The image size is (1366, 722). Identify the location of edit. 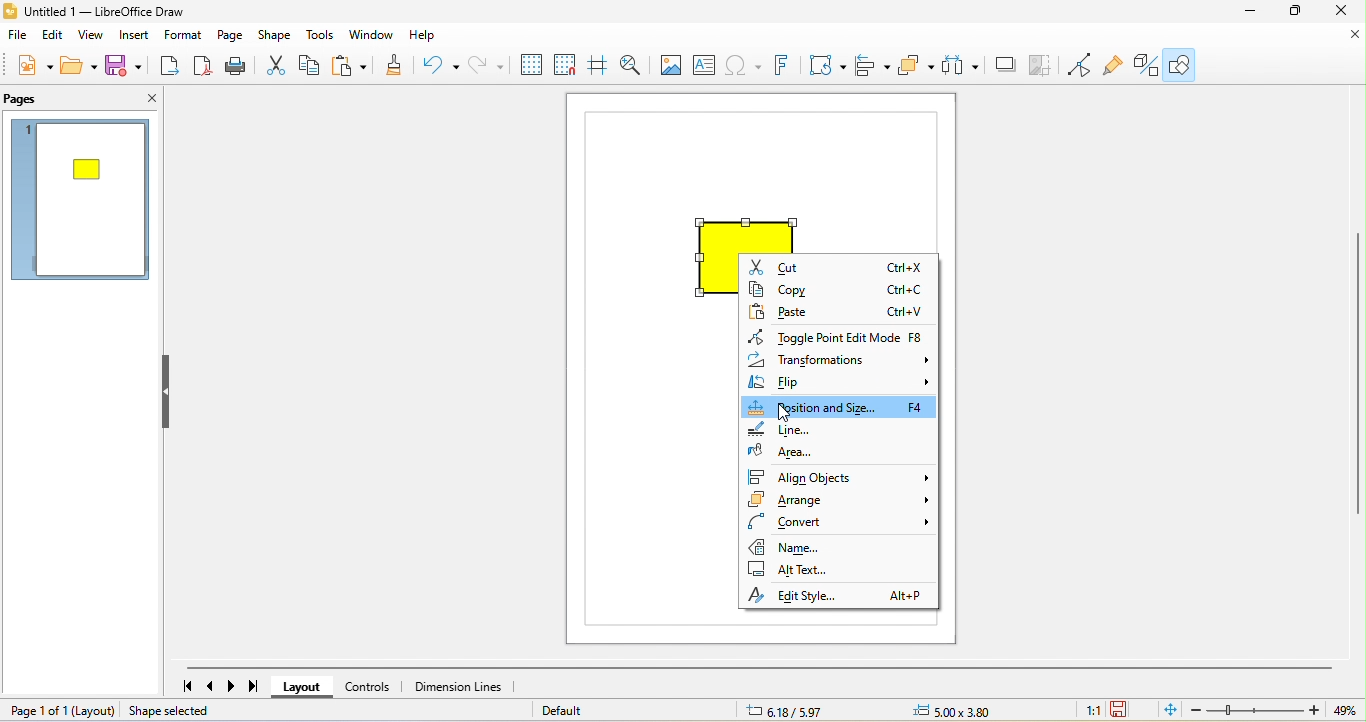
(54, 36).